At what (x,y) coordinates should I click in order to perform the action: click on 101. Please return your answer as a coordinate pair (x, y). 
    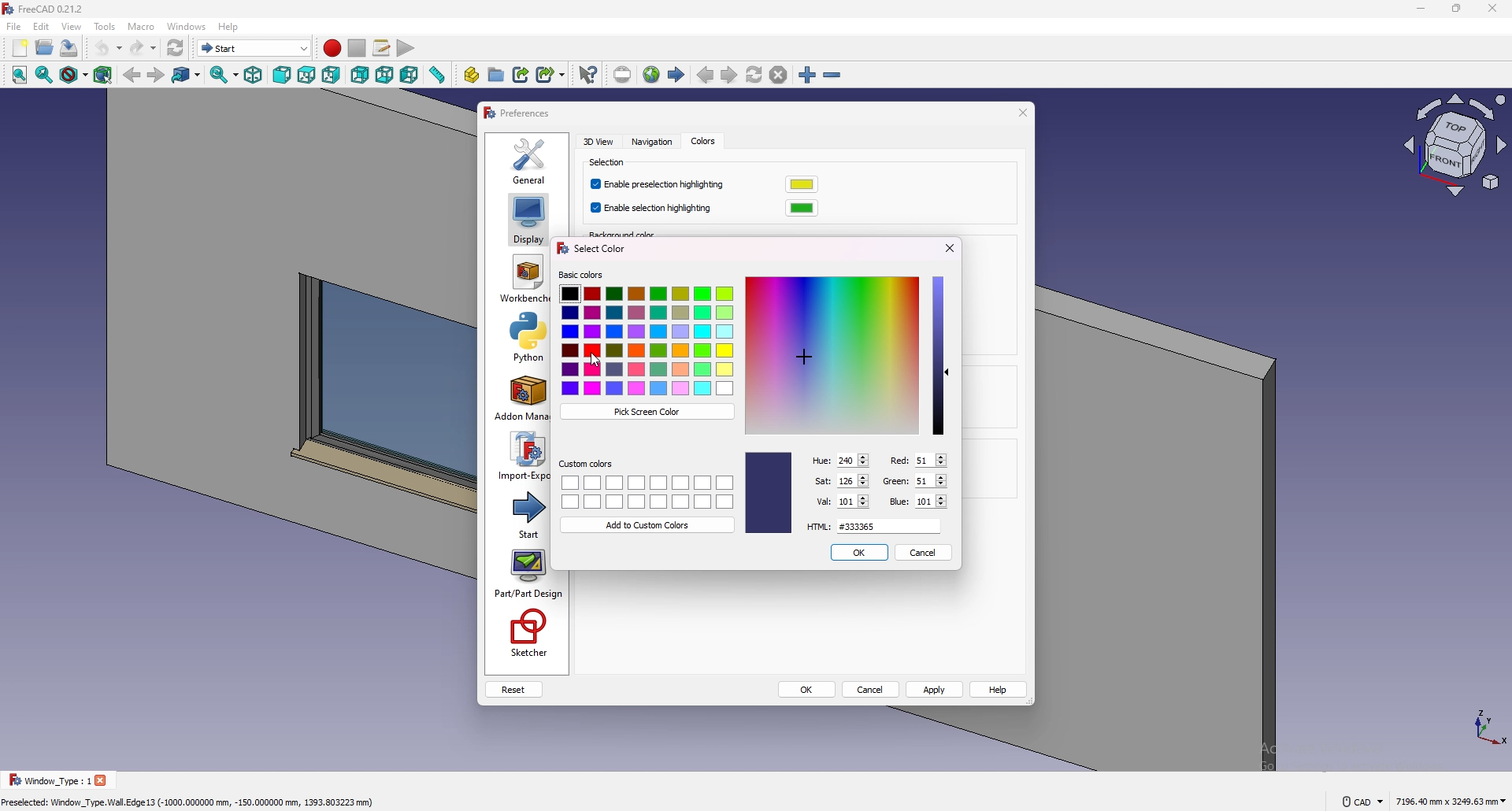
    Looking at the image, I should click on (931, 501).